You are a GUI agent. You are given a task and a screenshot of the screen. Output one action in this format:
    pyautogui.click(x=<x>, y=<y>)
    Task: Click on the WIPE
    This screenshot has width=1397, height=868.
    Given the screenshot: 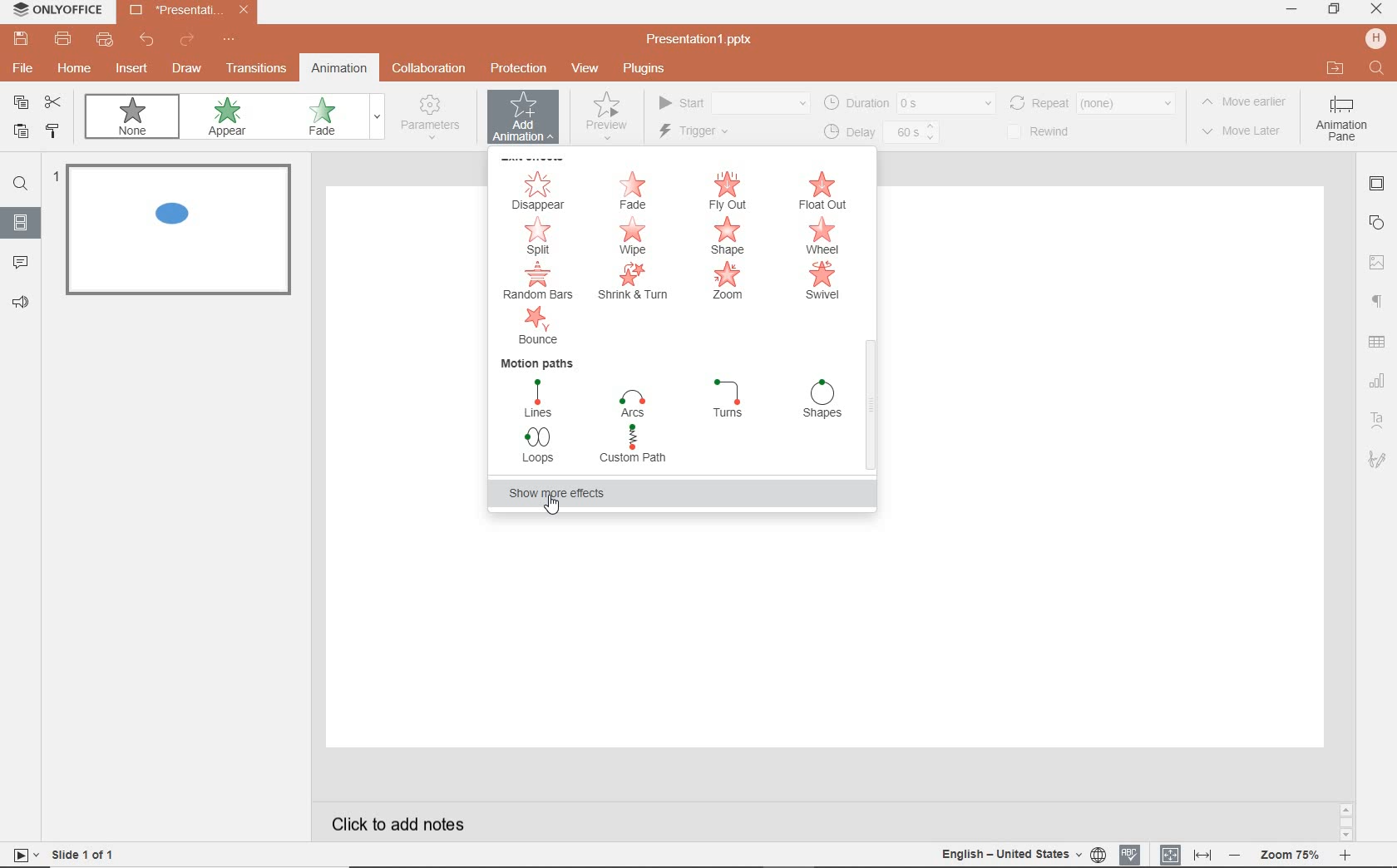 What is the action you would take?
    pyautogui.click(x=639, y=237)
    